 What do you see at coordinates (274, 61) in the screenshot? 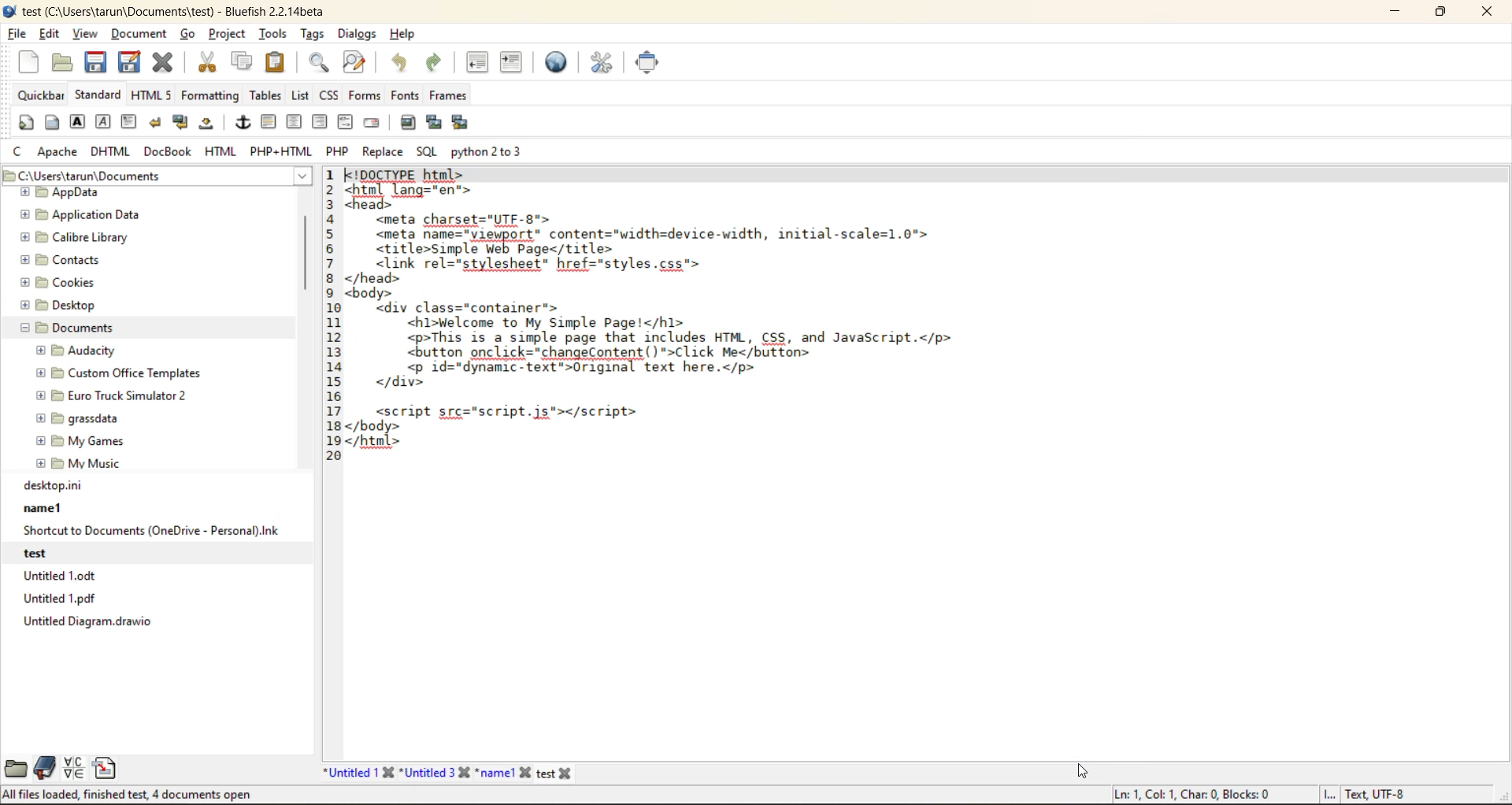
I see `paste` at bounding box center [274, 61].